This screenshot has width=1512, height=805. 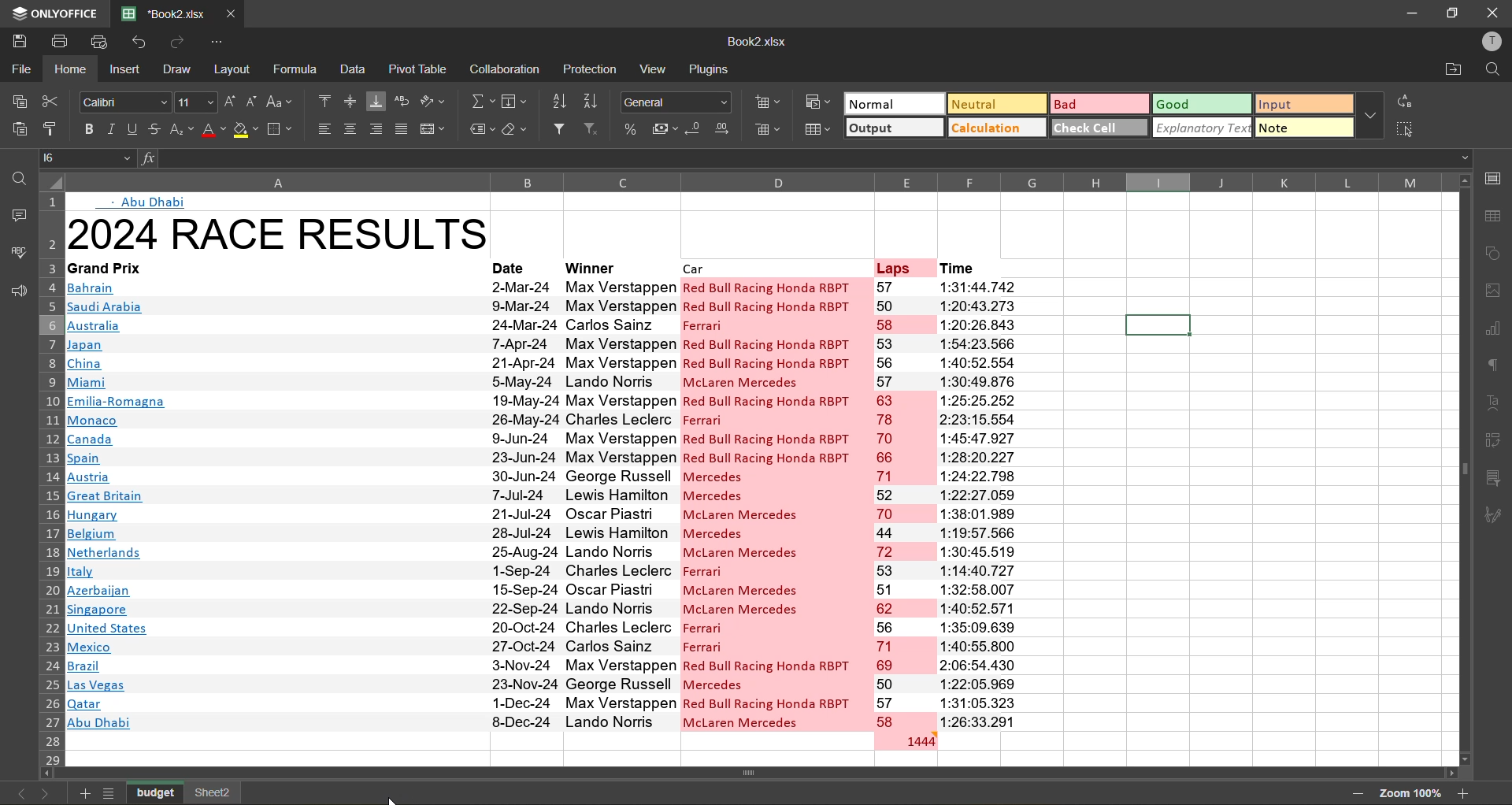 I want to click on font size, so click(x=197, y=101).